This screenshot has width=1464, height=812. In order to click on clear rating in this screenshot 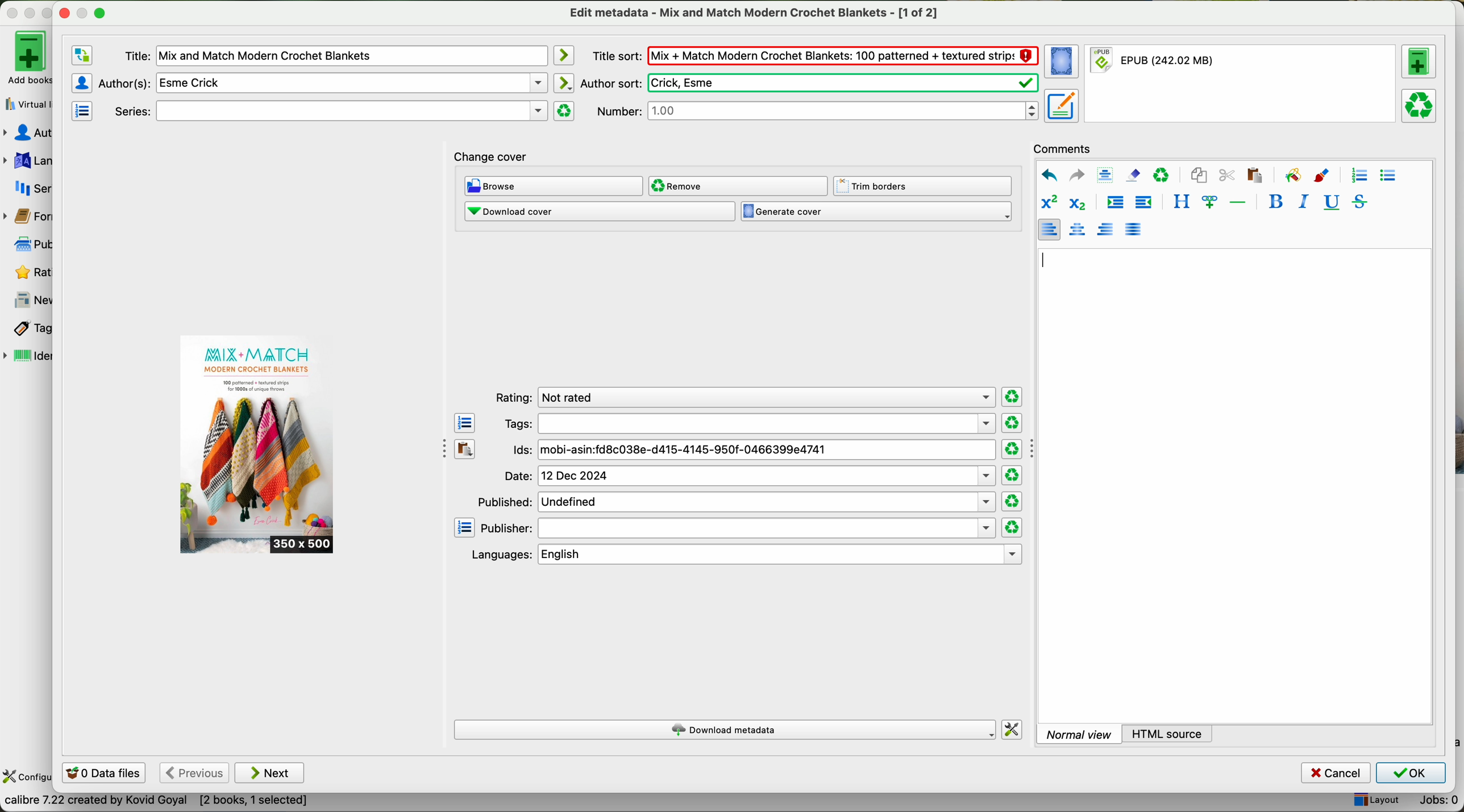, I will do `click(1011, 423)`.